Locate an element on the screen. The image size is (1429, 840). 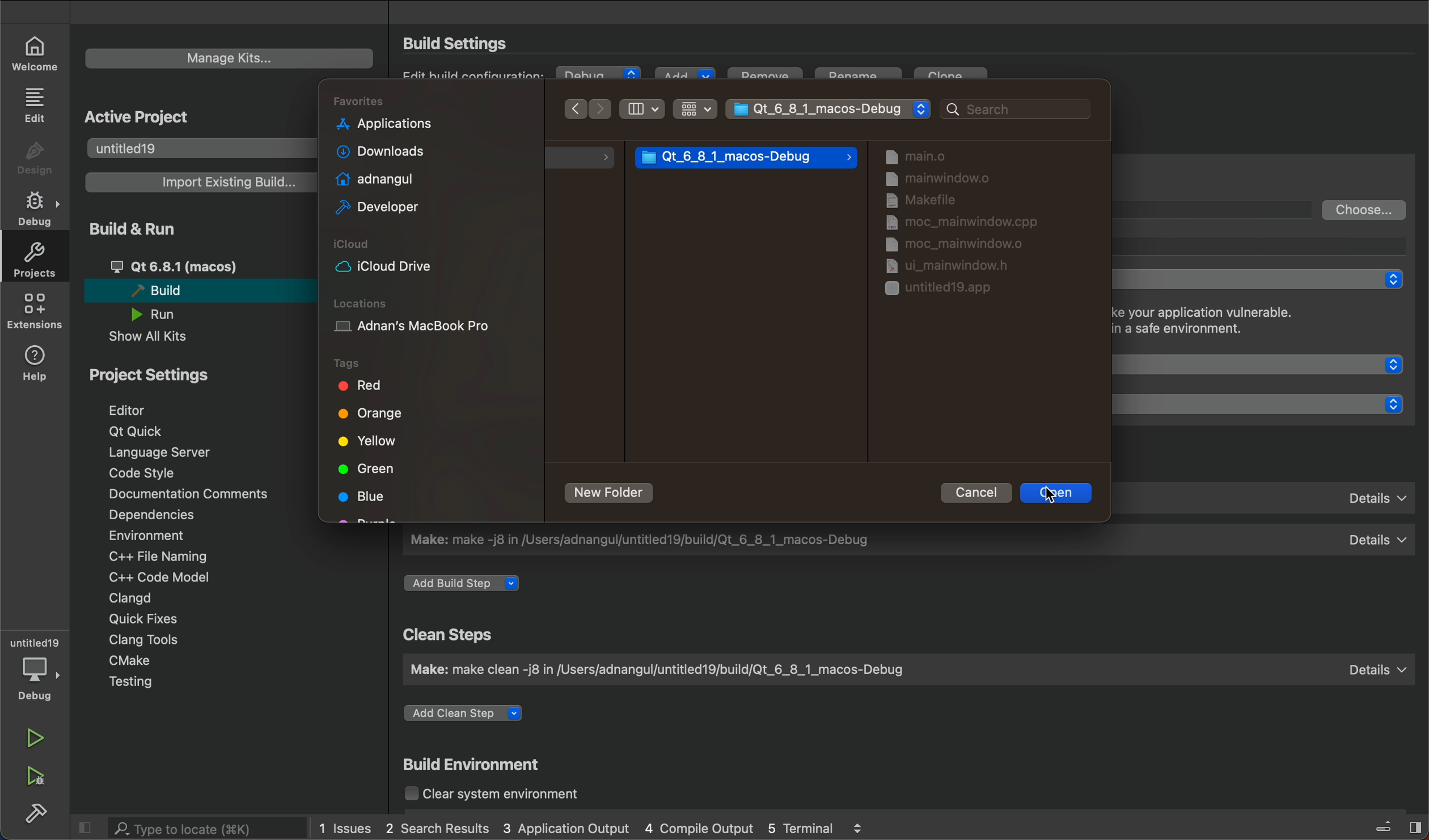
choose is located at coordinates (1365, 209).